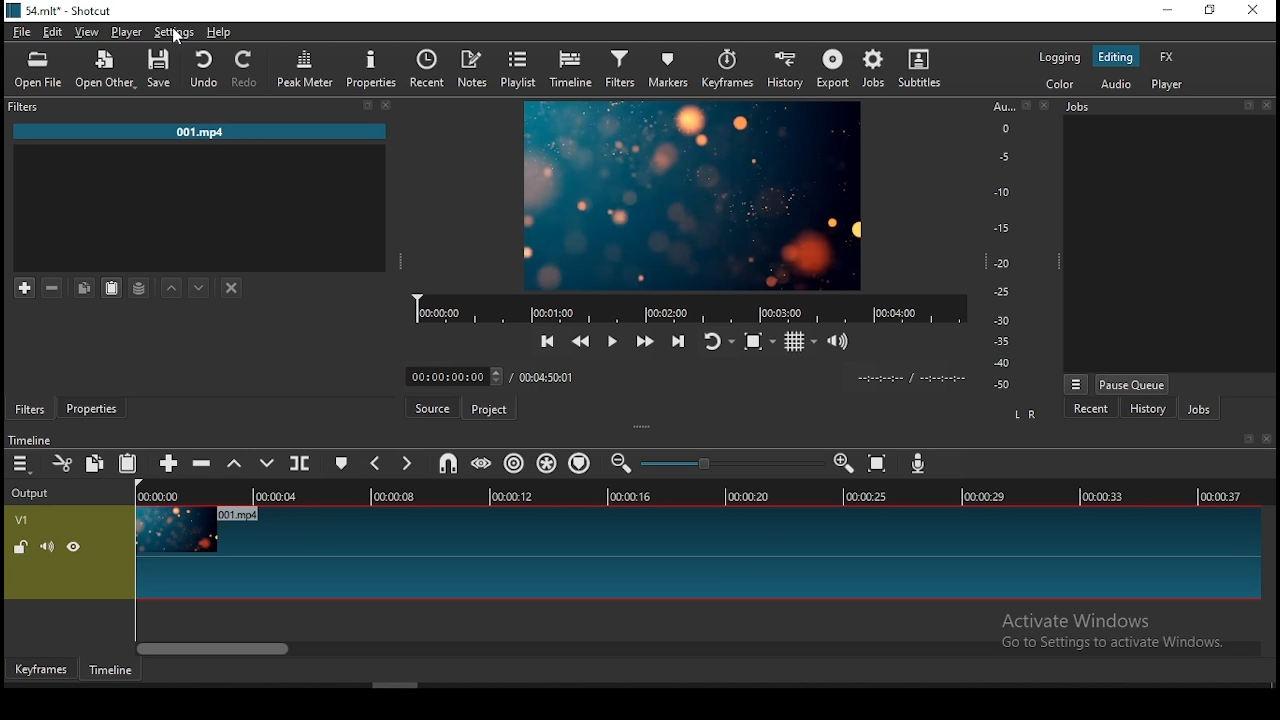 The width and height of the screenshot is (1280, 720). Describe the element at coordinates (1002, 155) in the screenshot. I see `-5` at that location.